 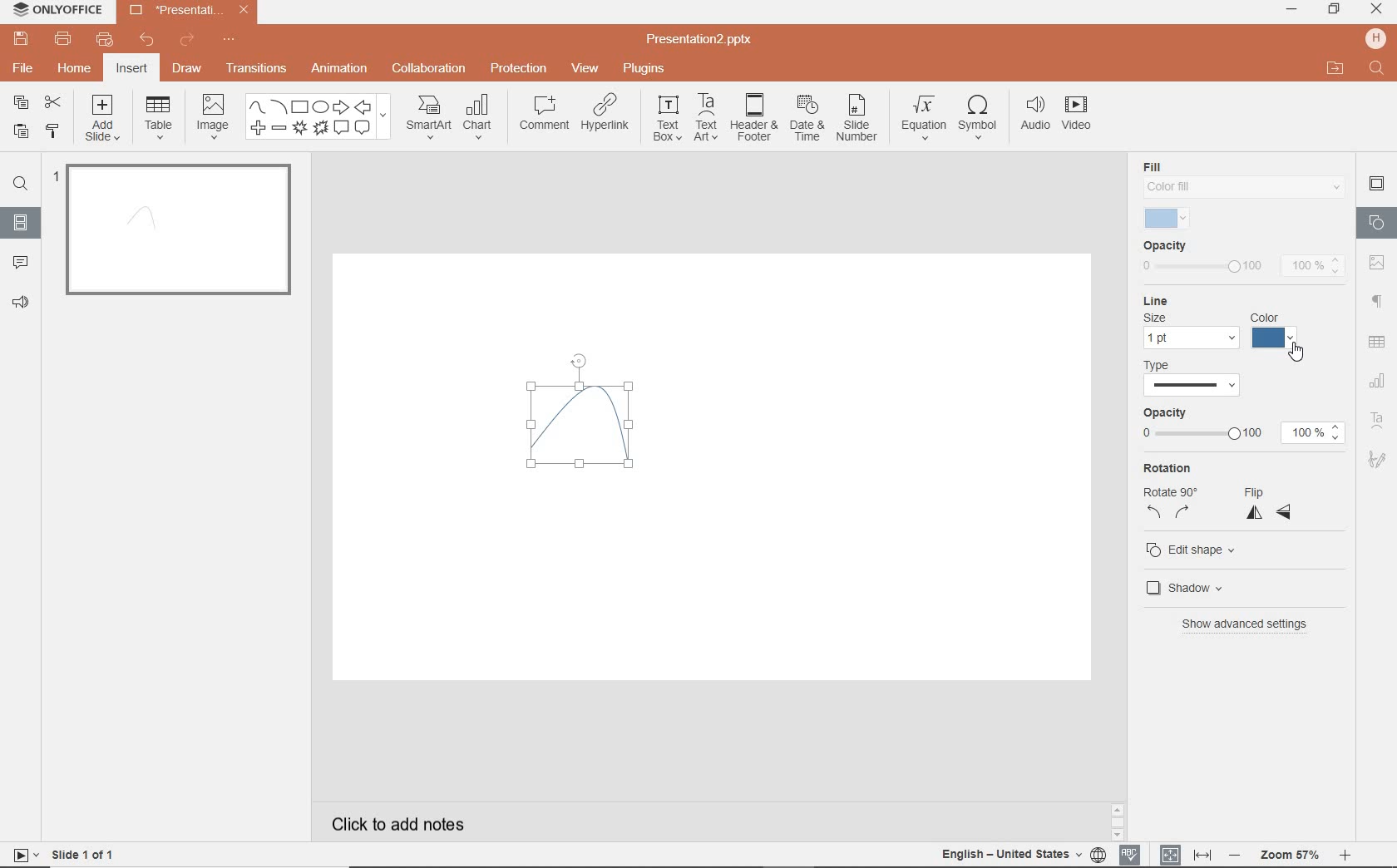 I want to click on ONLYOFFICE, so click(x=58, y=11).